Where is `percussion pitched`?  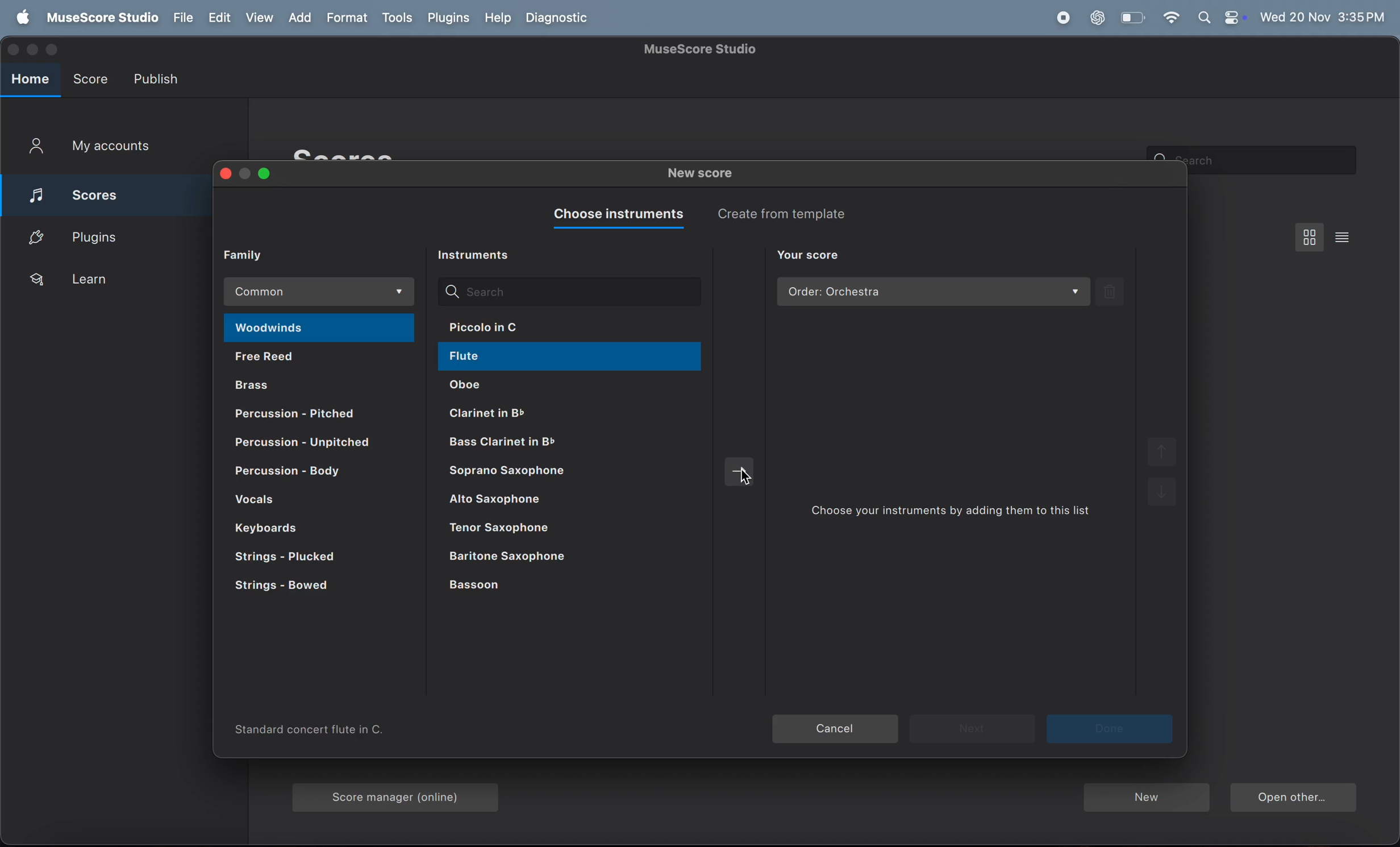 percussion pitched is located at coordinates (305, 444).